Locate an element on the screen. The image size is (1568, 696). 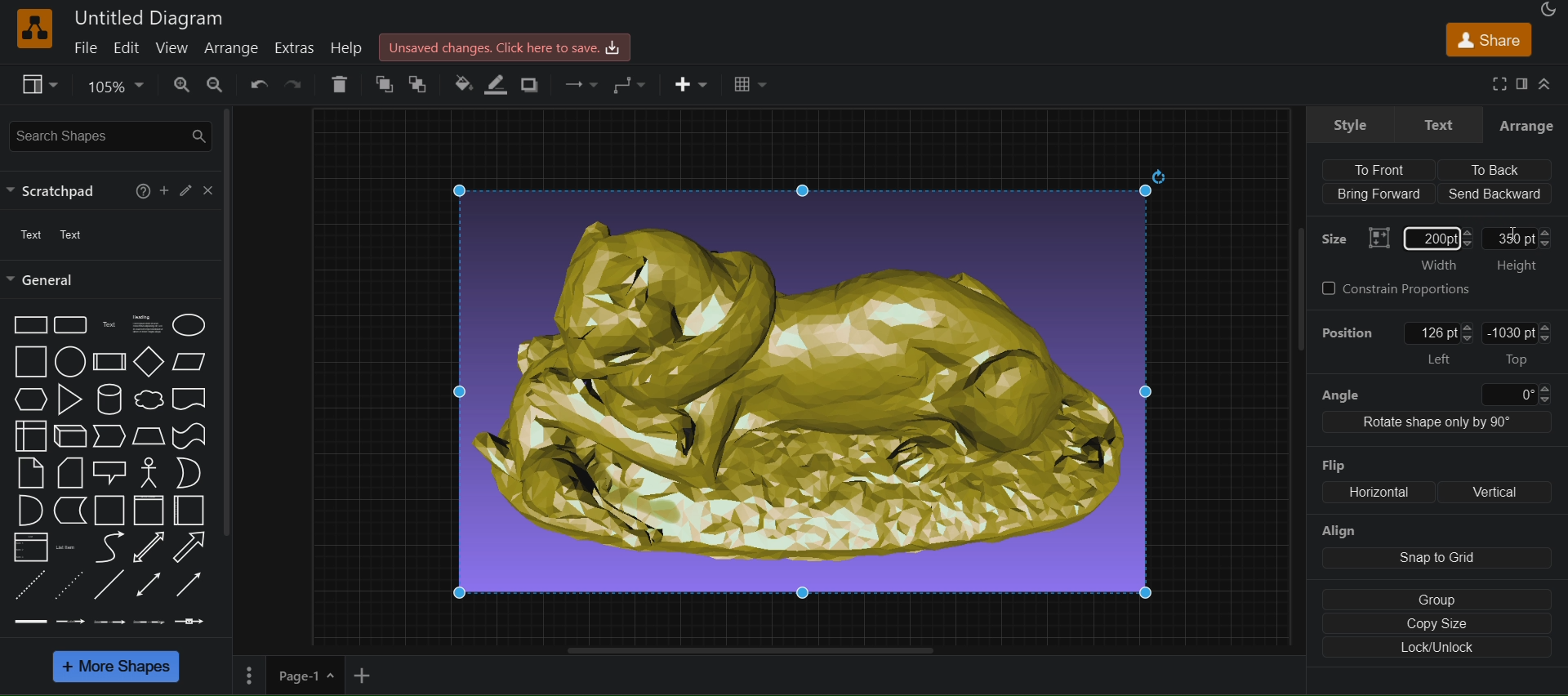
scrollbar is located at coordinates (229, 324).